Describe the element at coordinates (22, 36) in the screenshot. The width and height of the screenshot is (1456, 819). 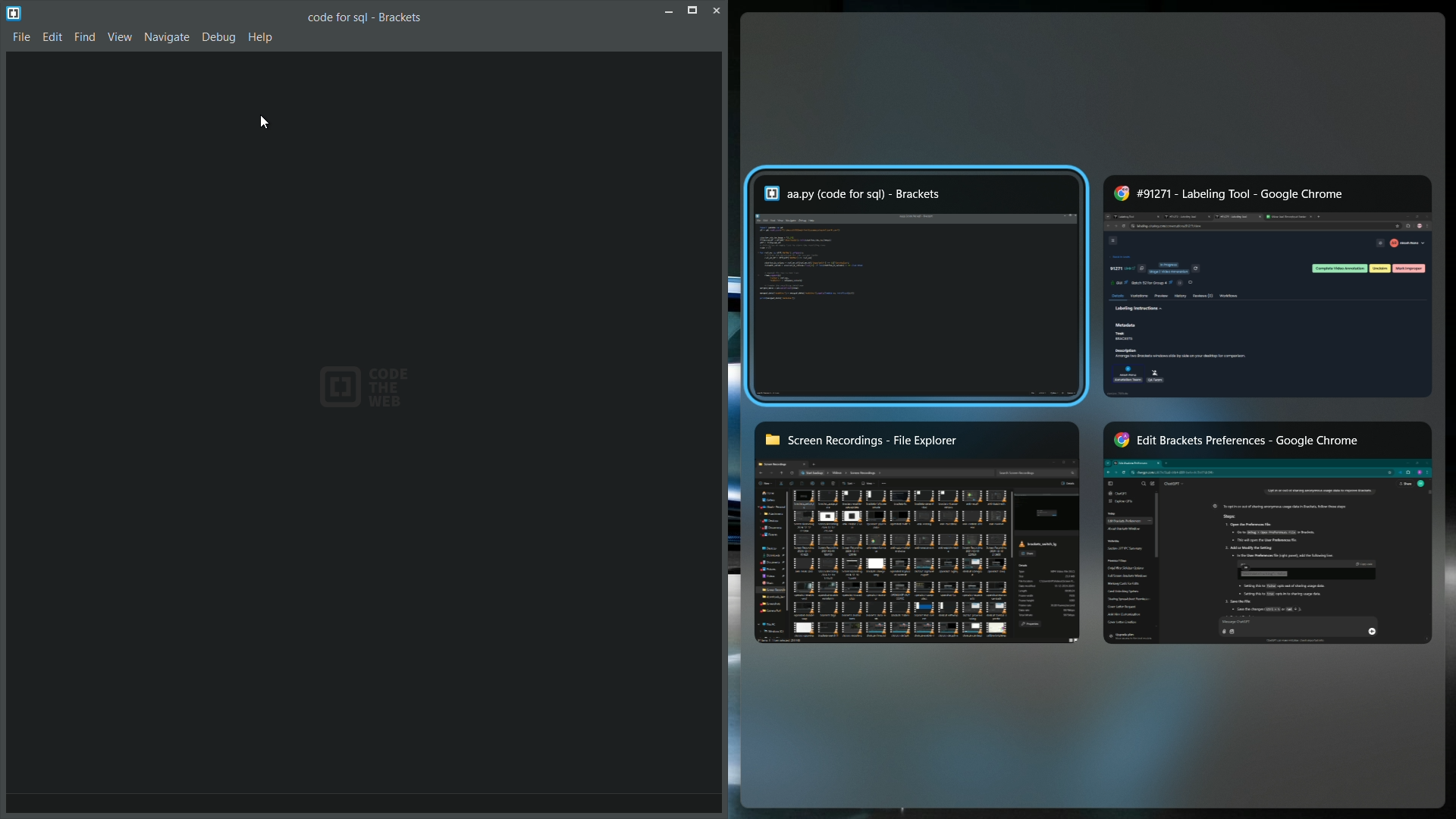
I see `File` at that location.